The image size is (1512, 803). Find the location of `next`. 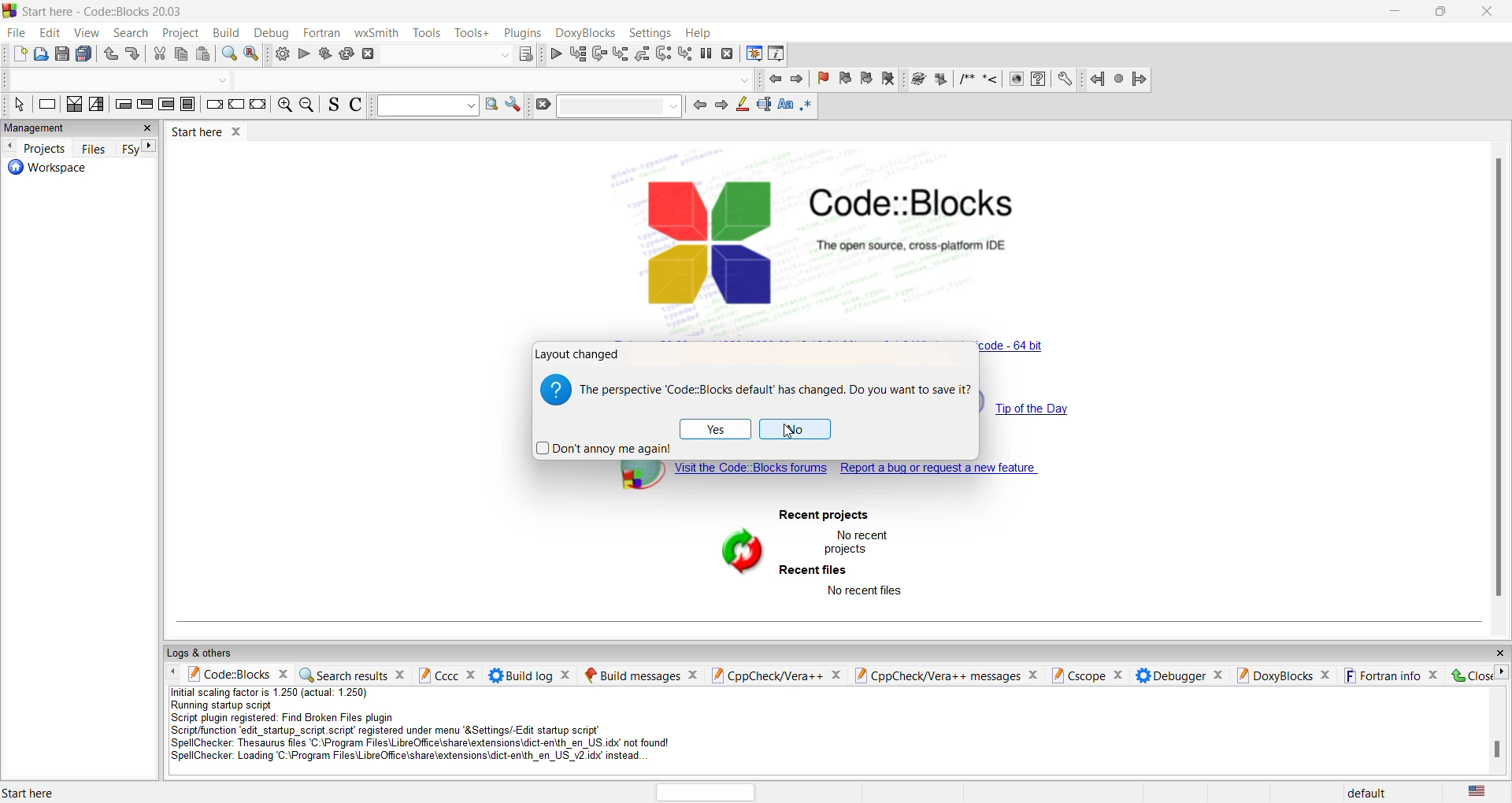

next is located at coordinates (720, 106).